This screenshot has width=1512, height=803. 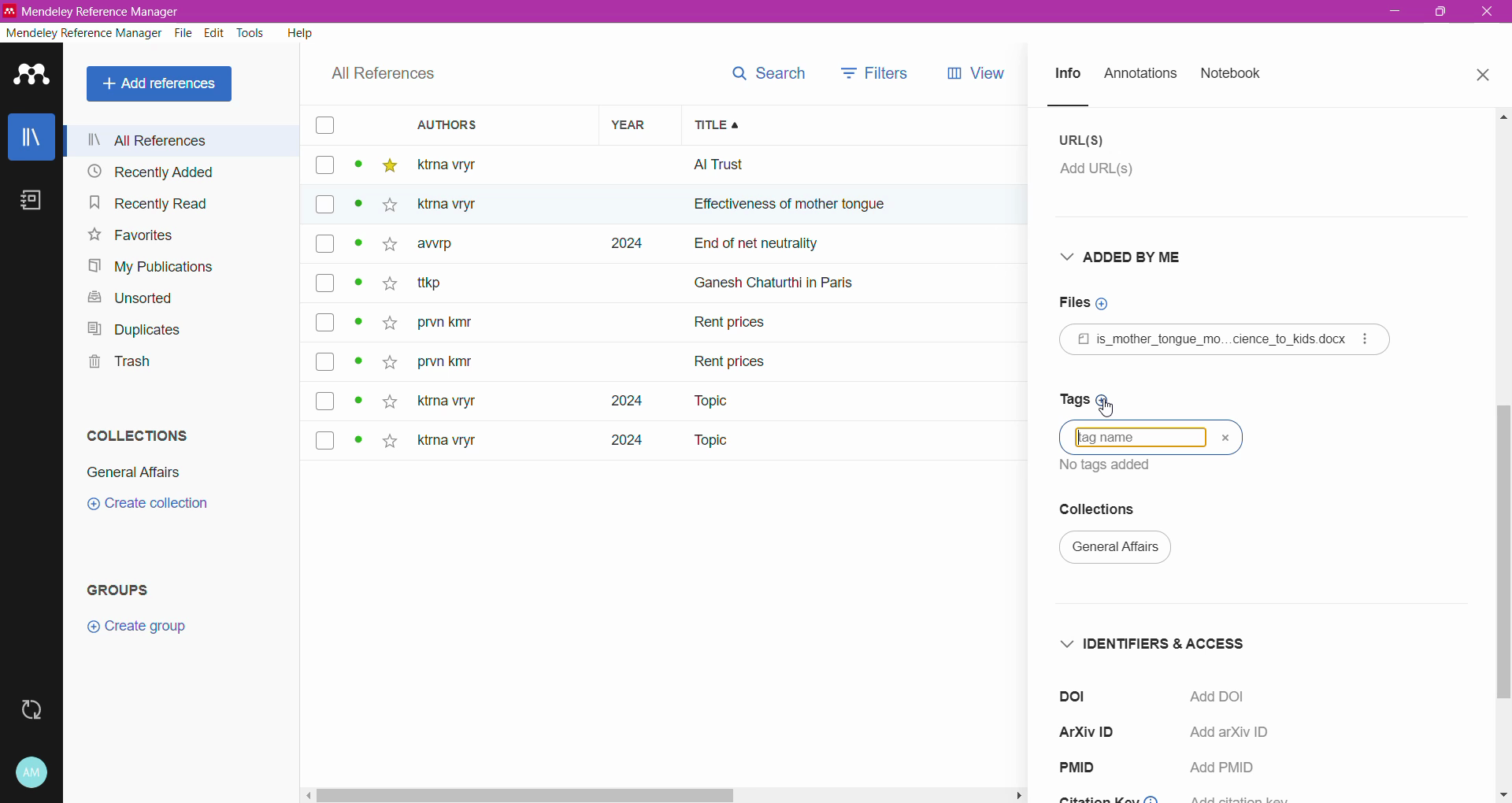 I want to click on prvn kity, so click(x=445, y=364).